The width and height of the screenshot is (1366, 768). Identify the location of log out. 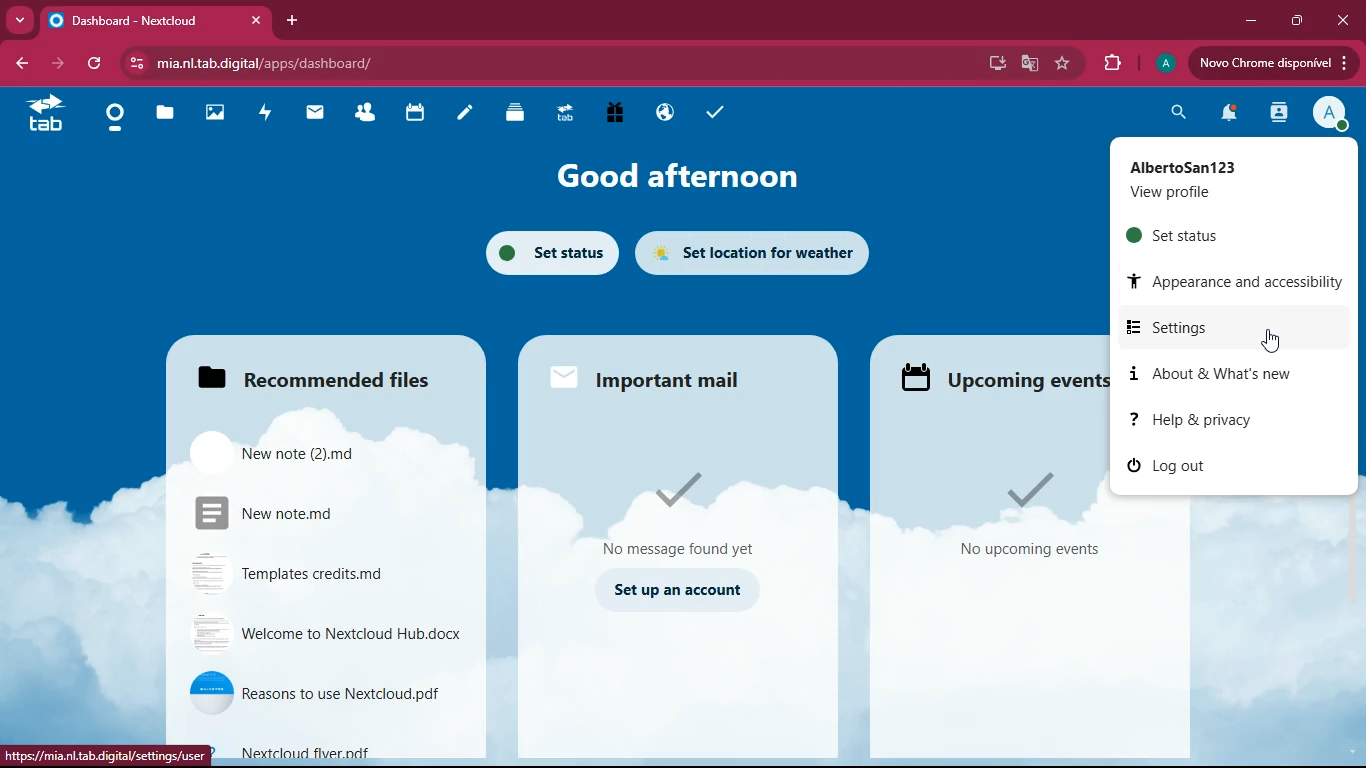
(1181, 465).